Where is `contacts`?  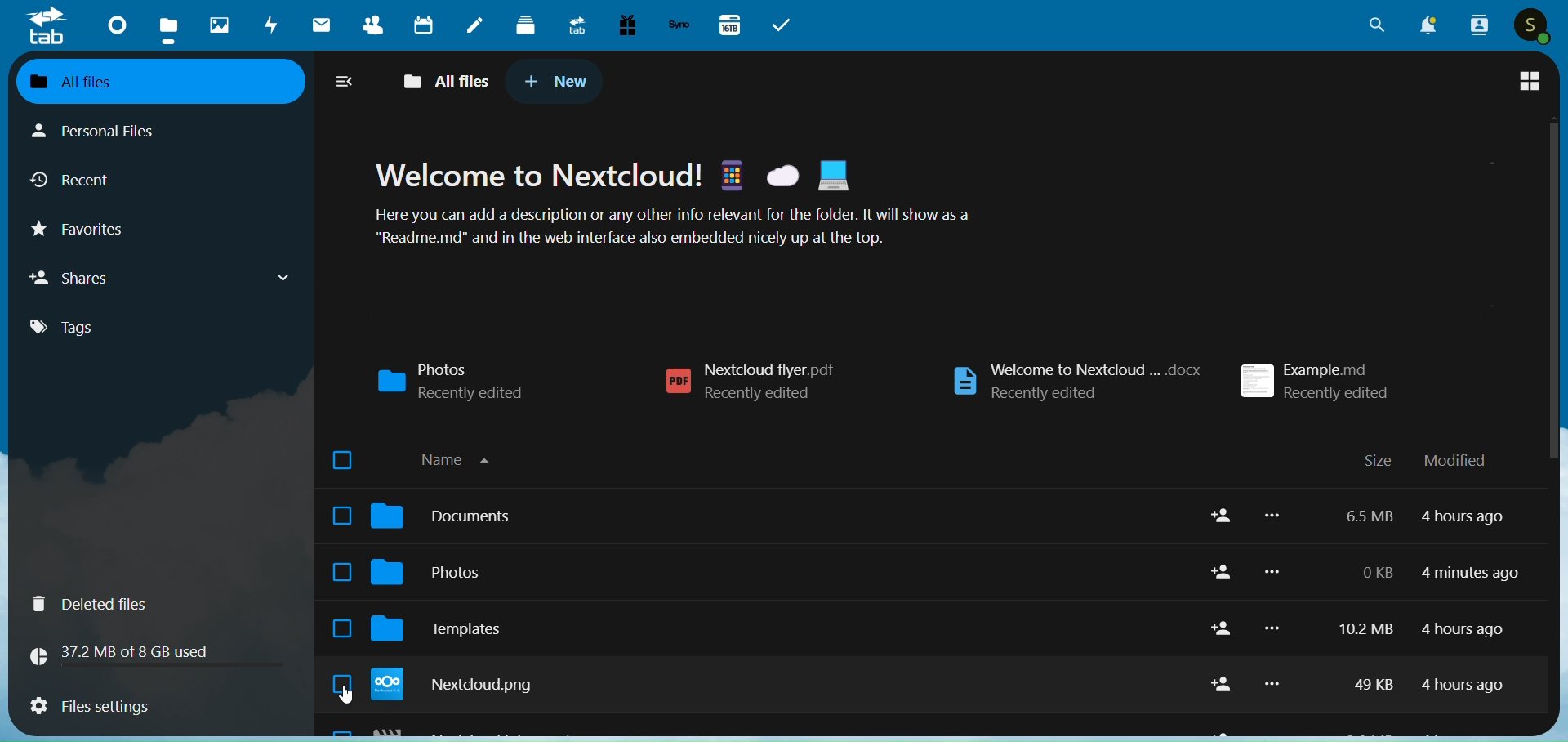 contacts is located at coordinates (373, 25).